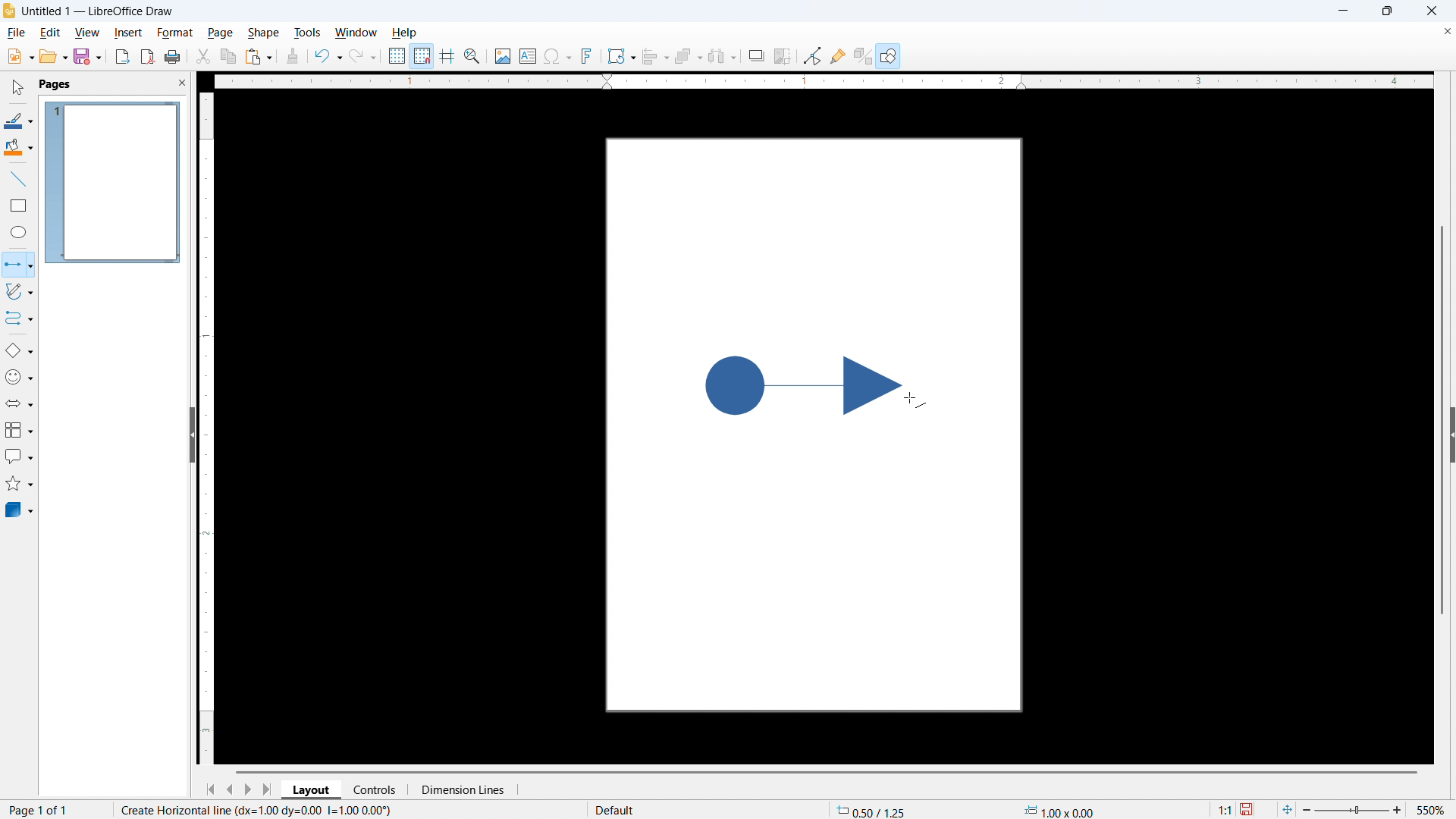 This screenshot has height=819, width=1456. I want to click on Vertical ruler , so click(207, 428).